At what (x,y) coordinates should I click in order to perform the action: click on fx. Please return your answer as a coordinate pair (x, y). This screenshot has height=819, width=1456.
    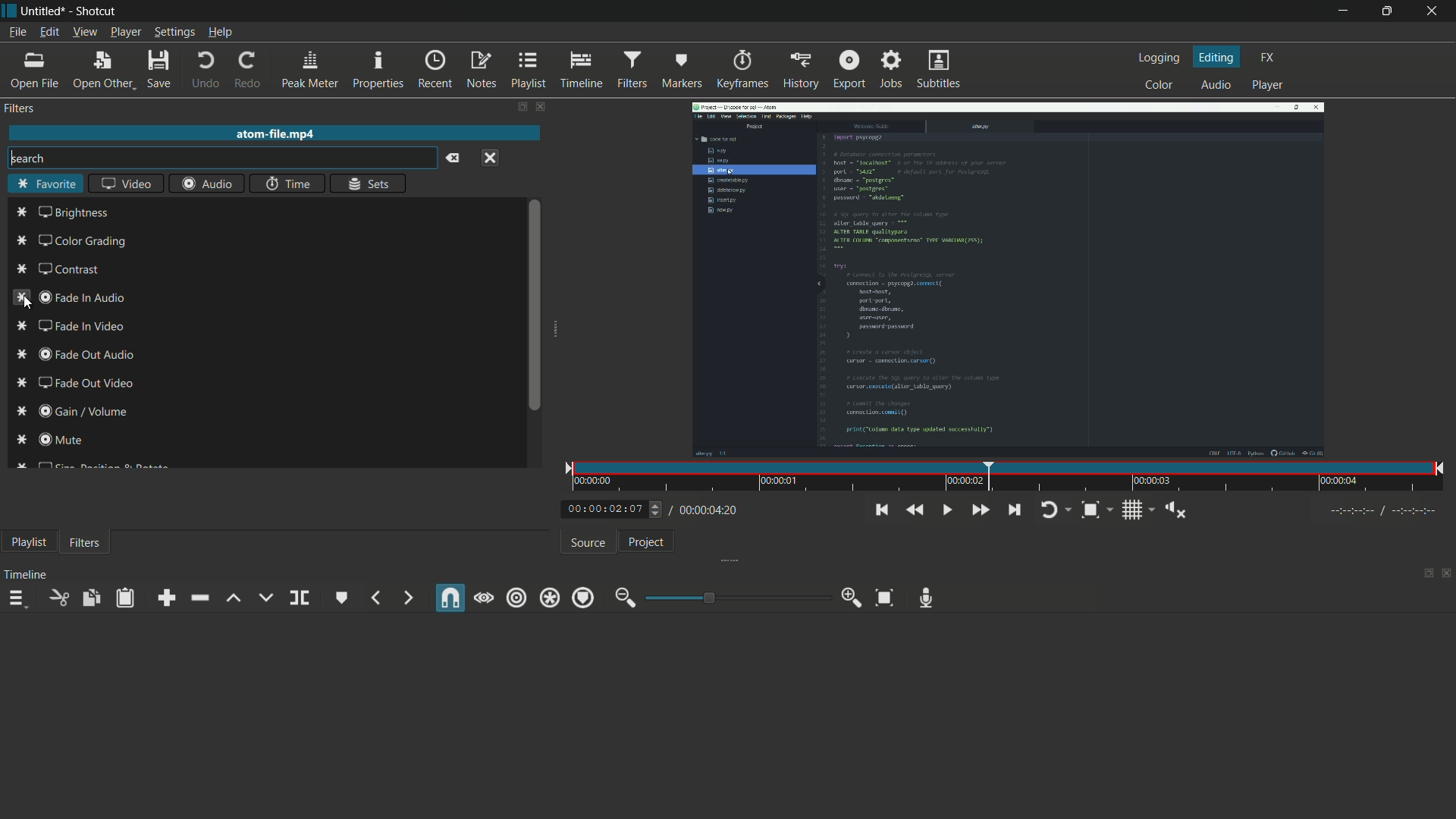
    Looking at the image, I should click on (1271, 58).